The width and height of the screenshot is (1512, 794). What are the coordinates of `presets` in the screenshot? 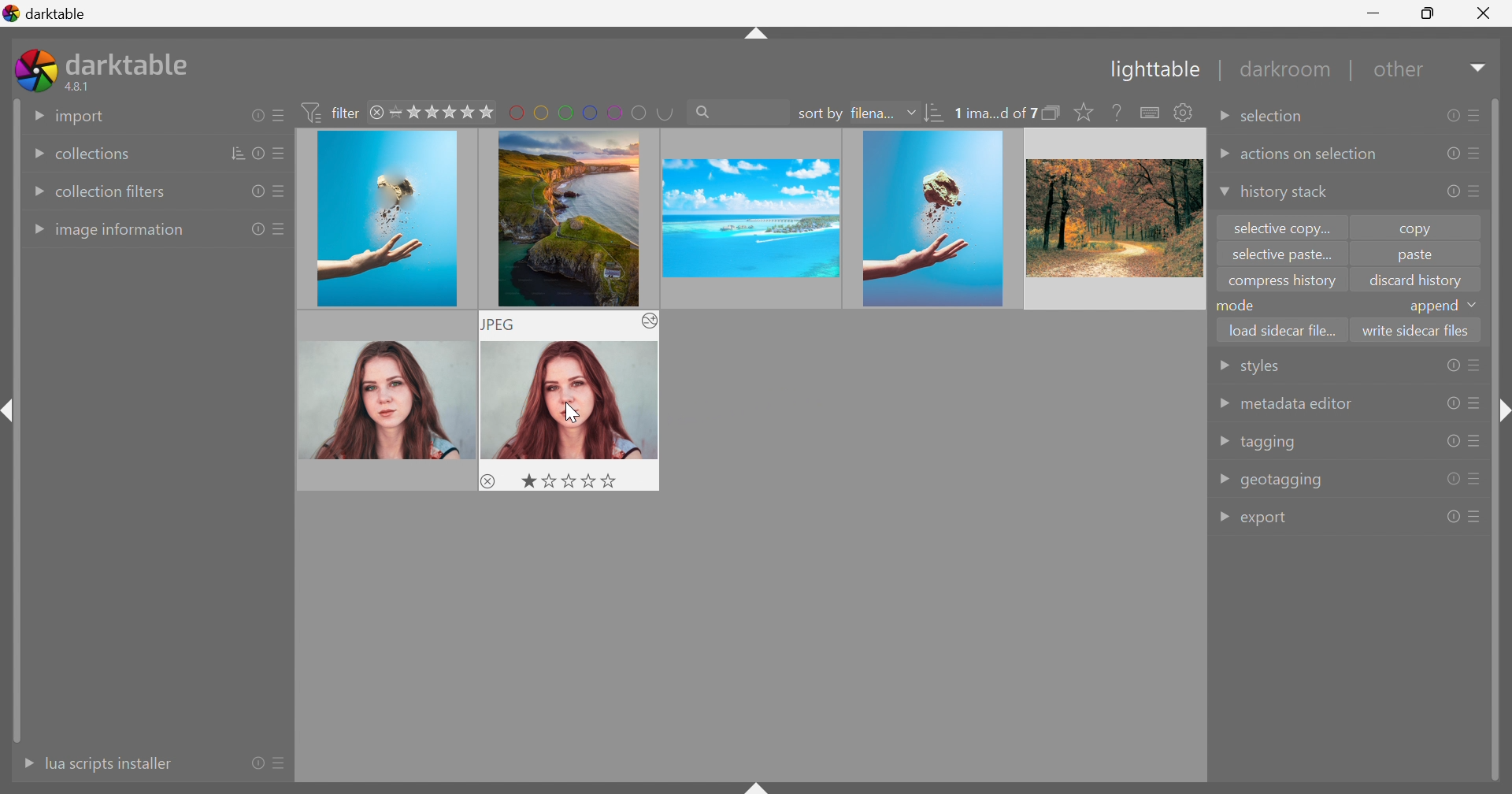 It's located at (1478, 190).